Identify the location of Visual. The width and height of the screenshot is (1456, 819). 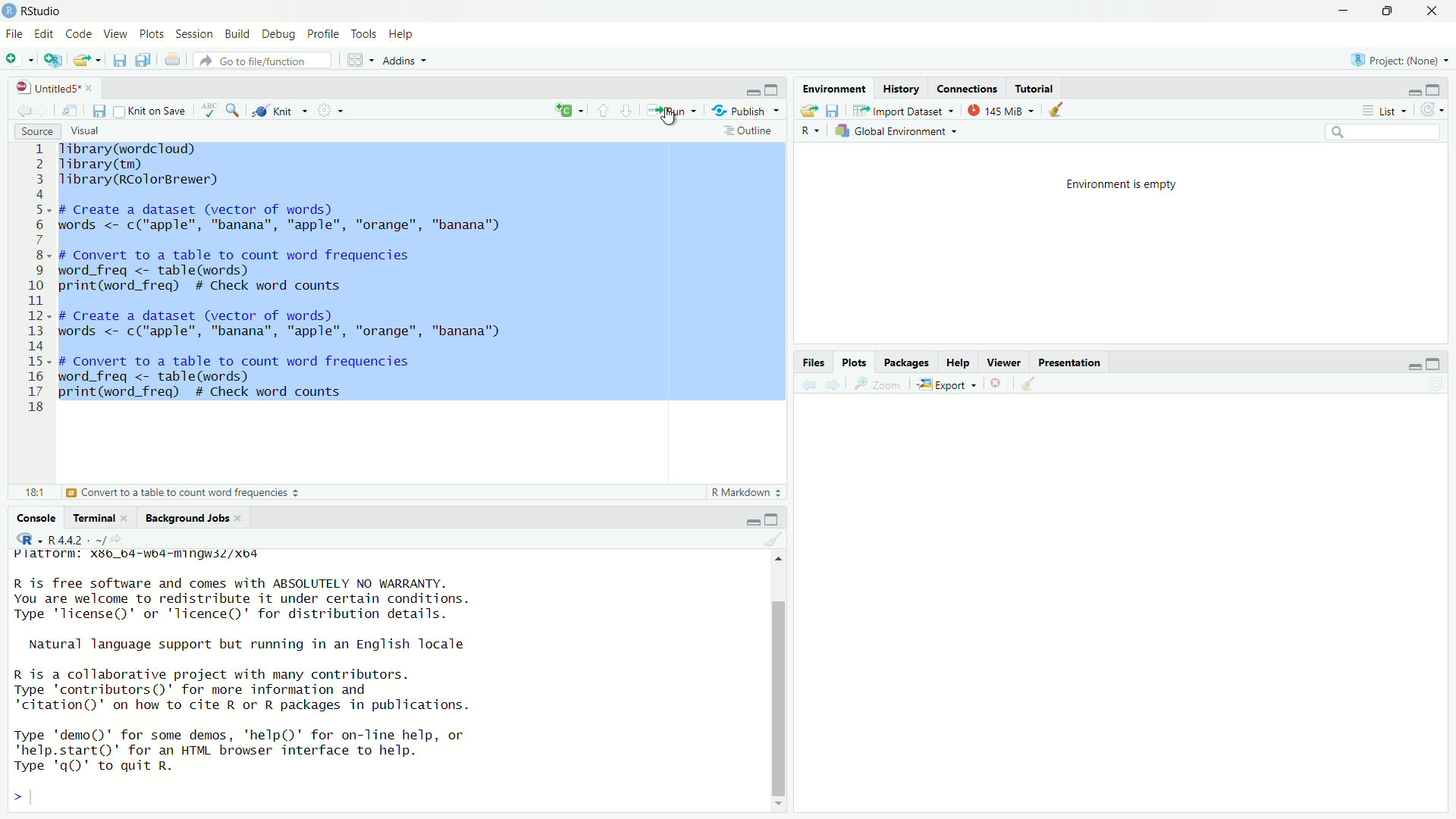
(89, 132).